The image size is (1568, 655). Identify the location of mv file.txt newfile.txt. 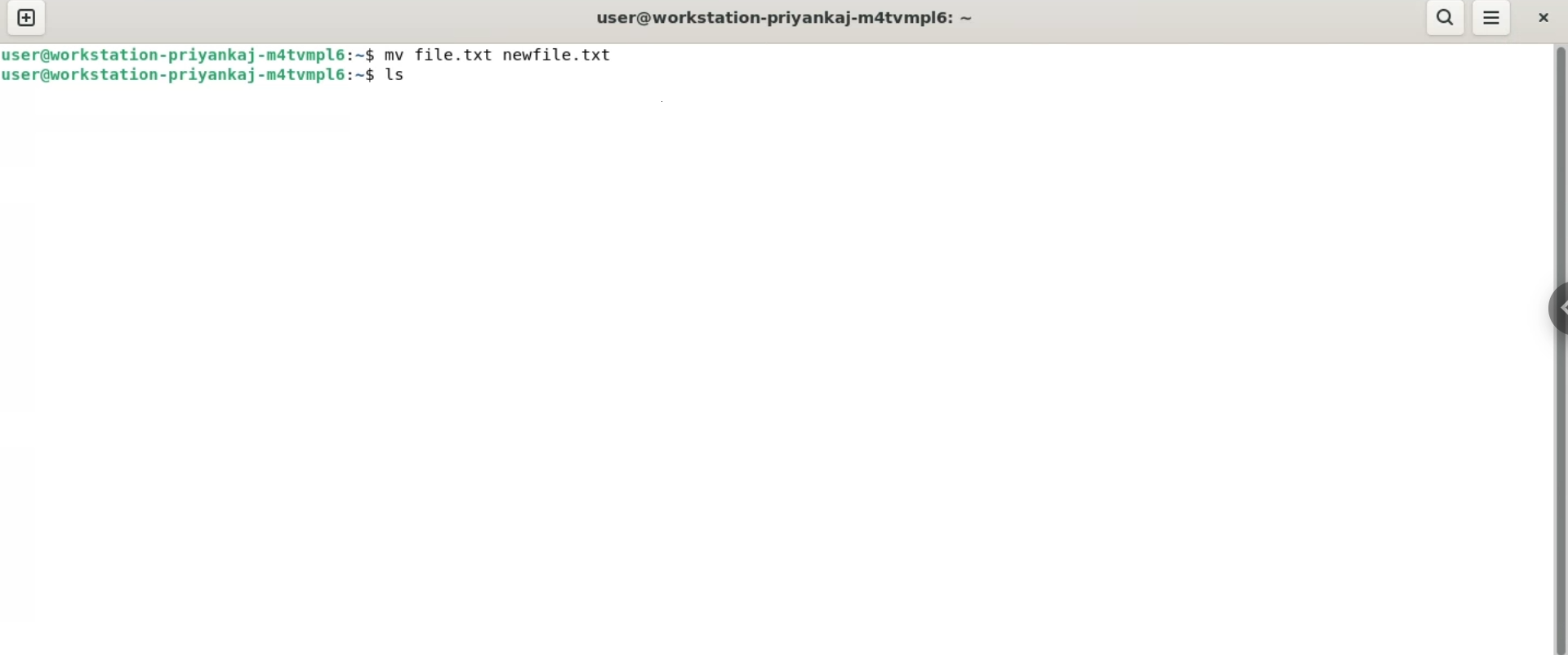
(500, 56).